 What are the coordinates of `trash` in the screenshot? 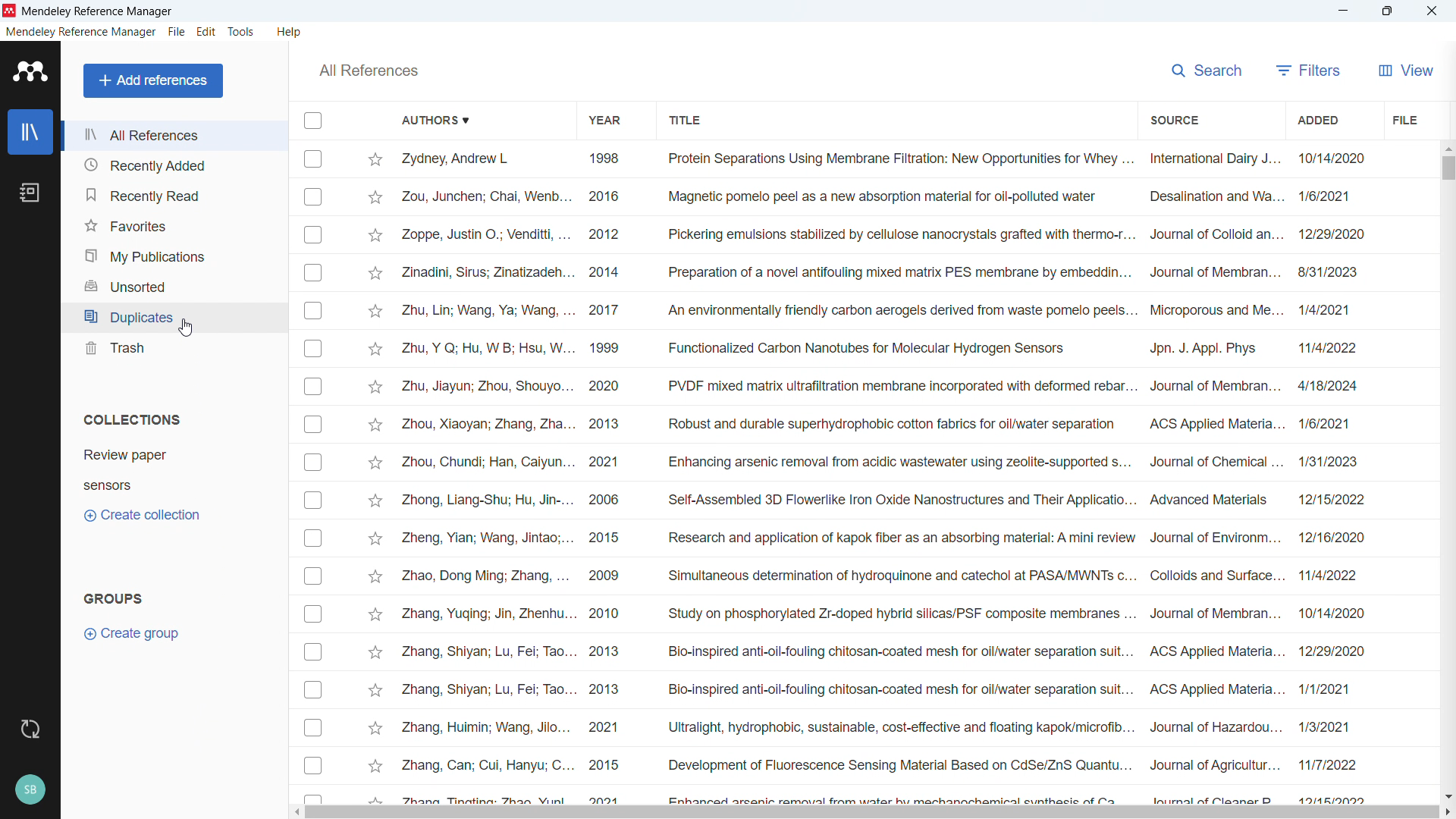 It's located at (173, 347).